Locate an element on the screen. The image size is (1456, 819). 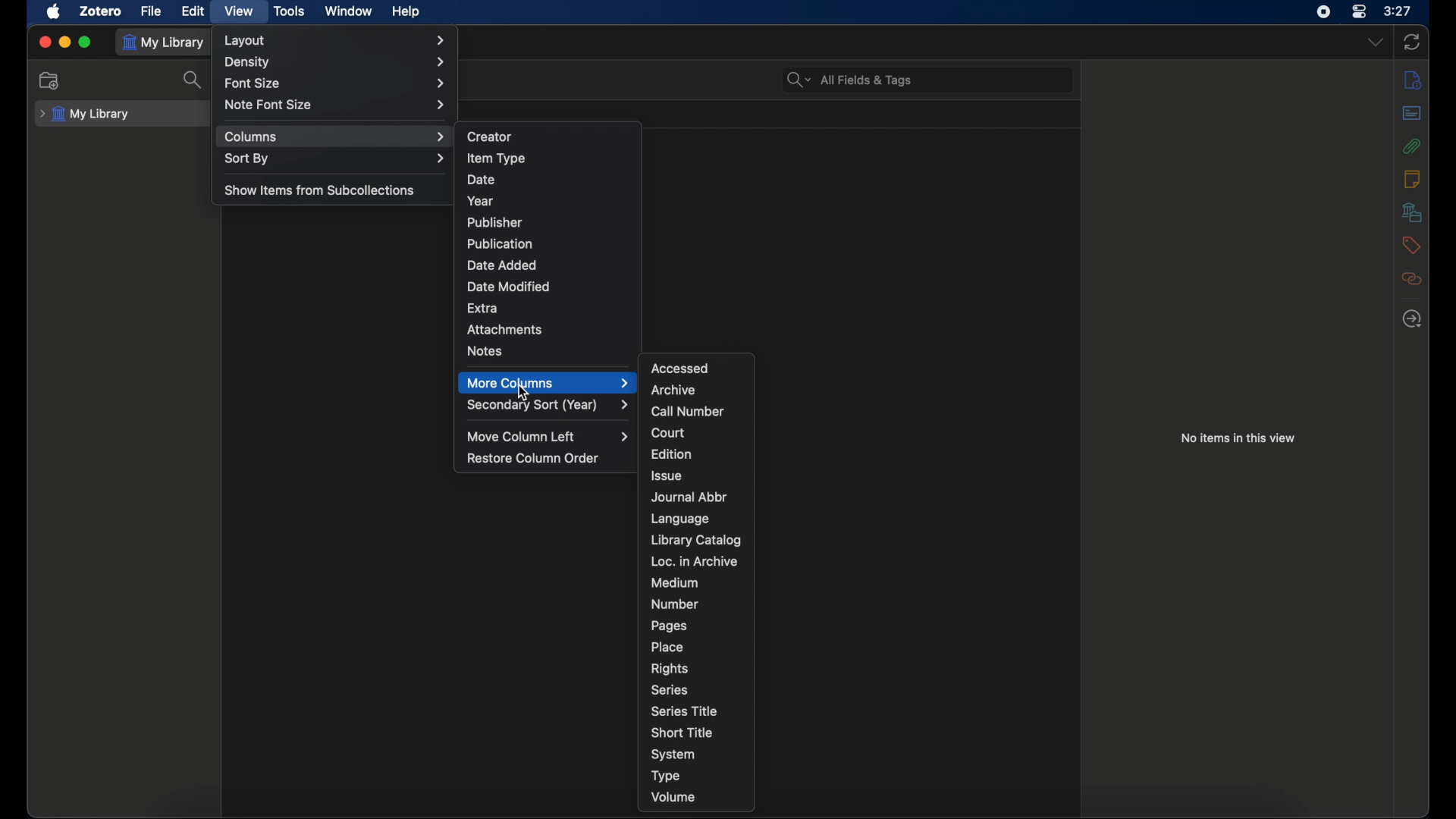
issue is located at coordinates (667, 475).